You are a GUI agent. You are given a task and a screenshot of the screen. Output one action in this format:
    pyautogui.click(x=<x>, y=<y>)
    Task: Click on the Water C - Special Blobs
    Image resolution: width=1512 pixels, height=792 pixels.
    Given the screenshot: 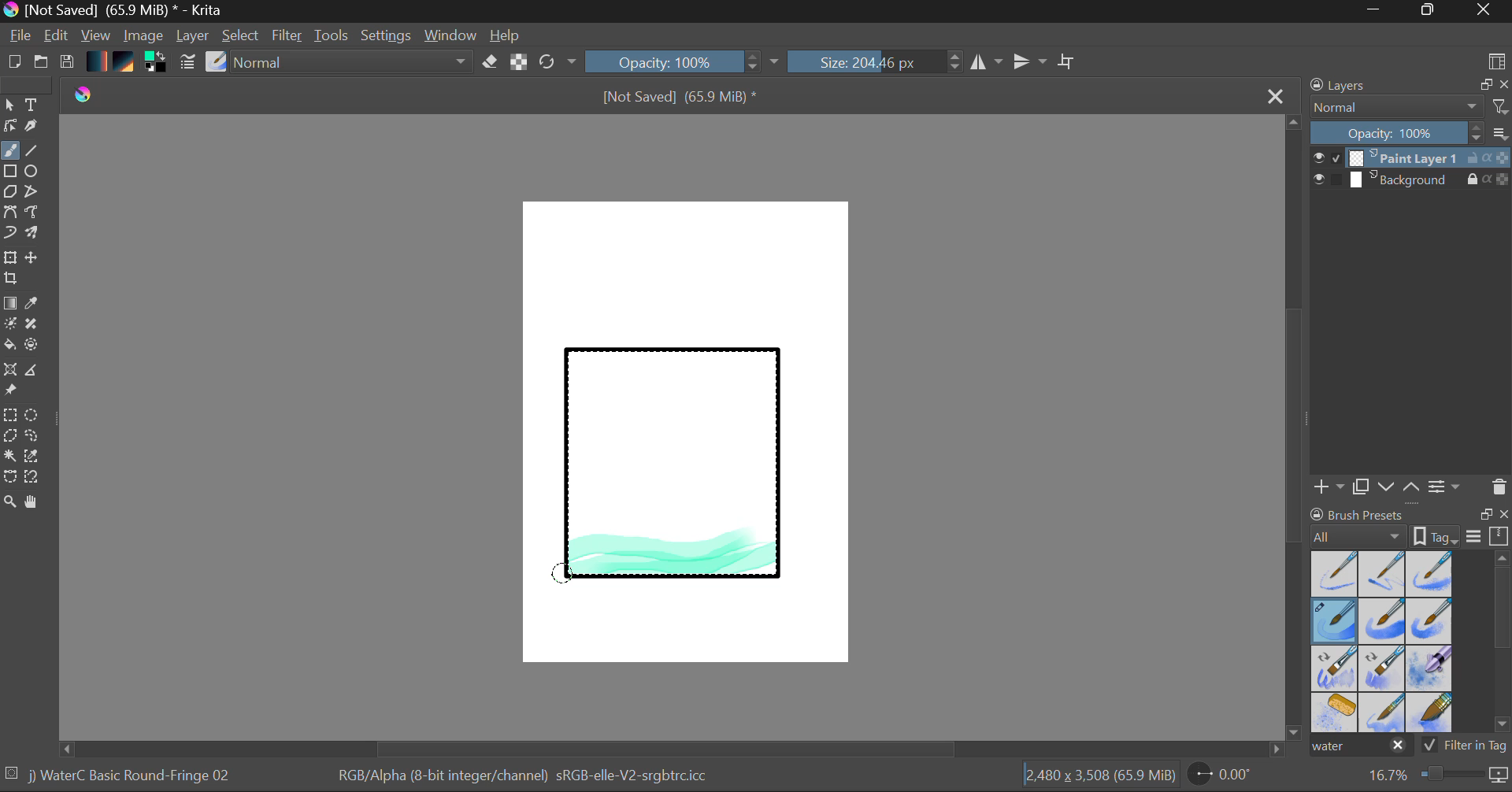 What is the action you would take?
    pyautogui.click(x=1430, y=670)
    